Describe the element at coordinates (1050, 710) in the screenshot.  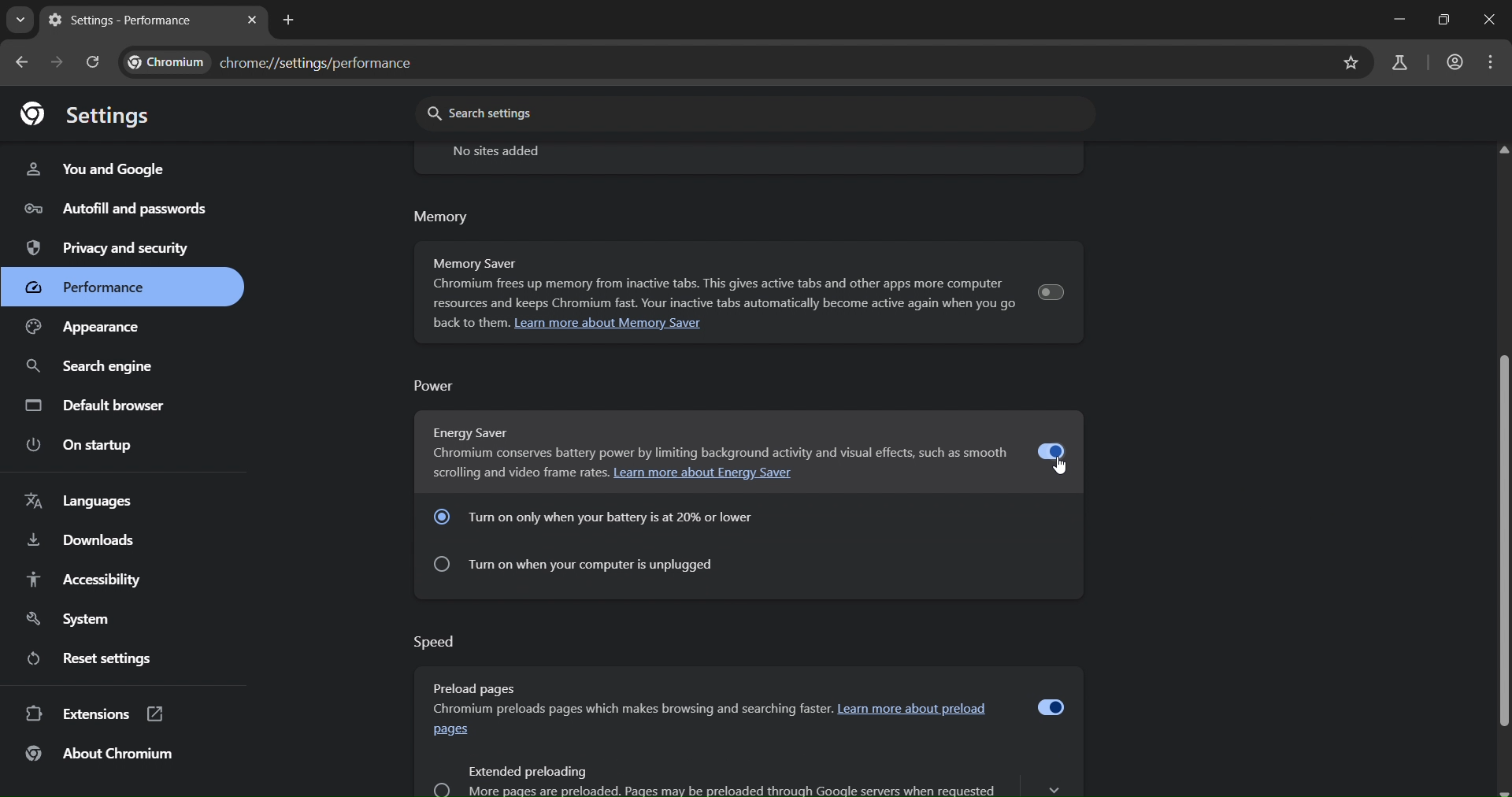
I see `toggle preload` at that location.